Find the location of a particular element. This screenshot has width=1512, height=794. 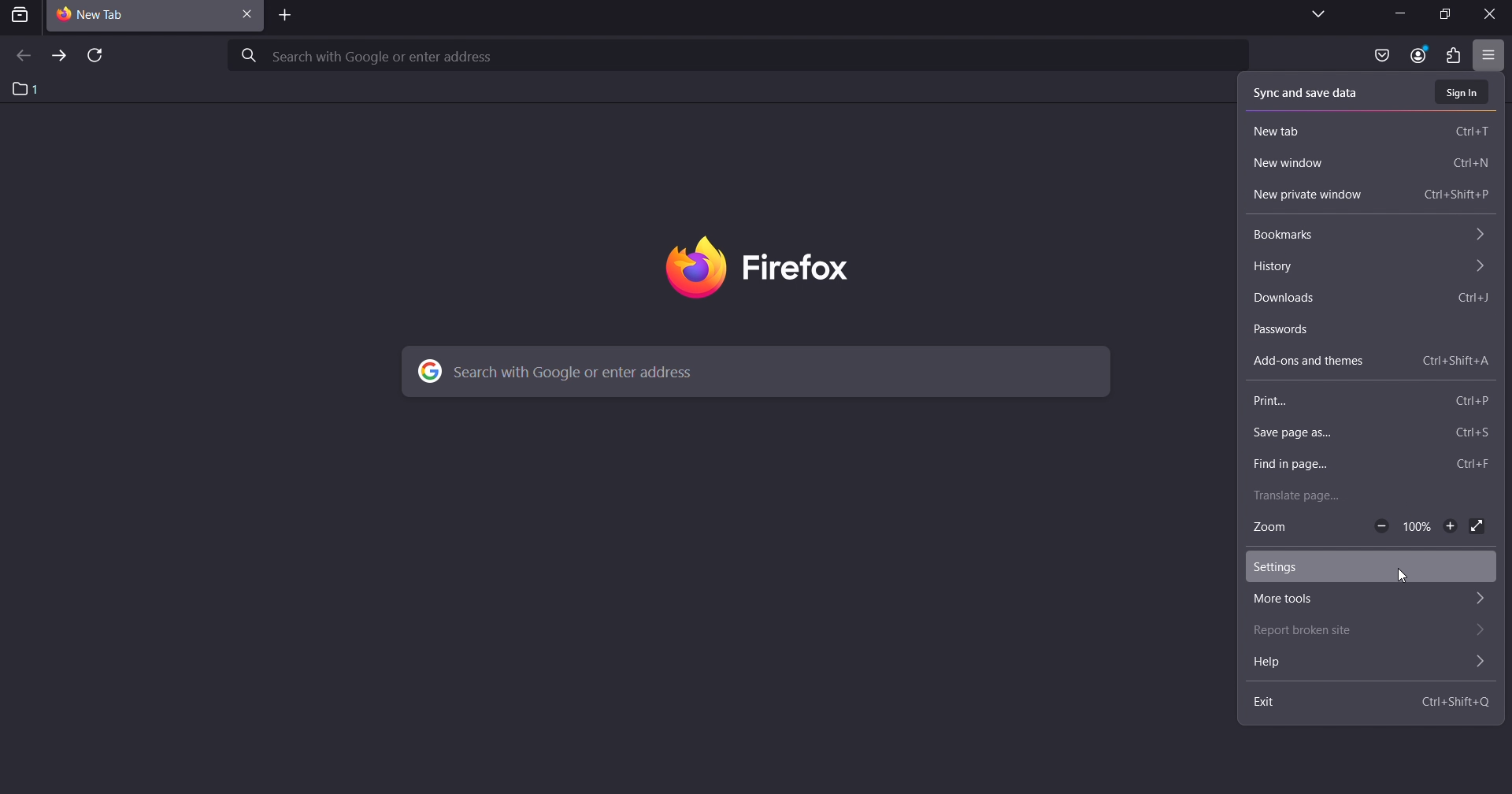

add tab is located at coordinates (285, 17).